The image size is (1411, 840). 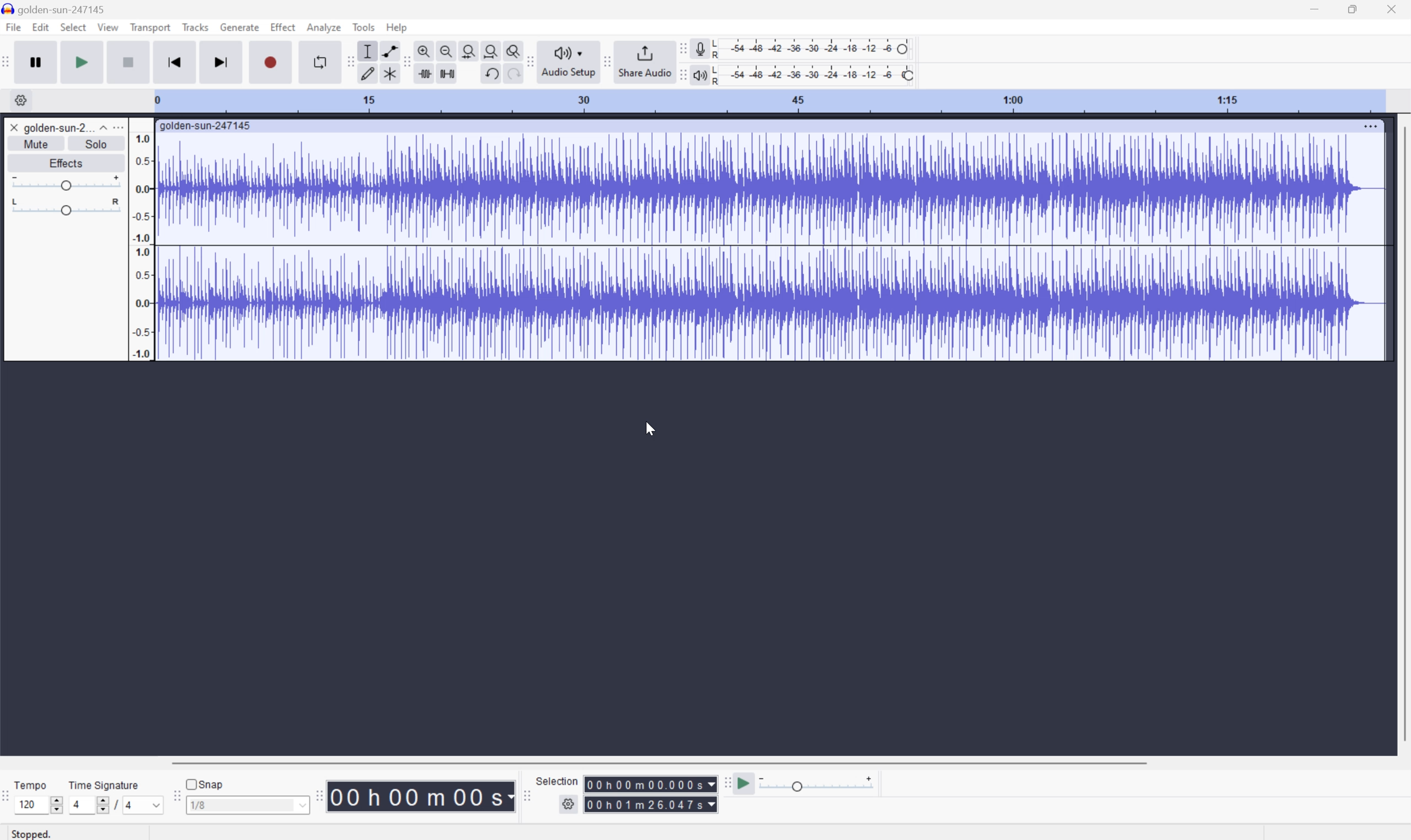 What do you see at coordinates (745, 784) in the screenshot?
I see `Play at speed` at bounding box center [745, 784].